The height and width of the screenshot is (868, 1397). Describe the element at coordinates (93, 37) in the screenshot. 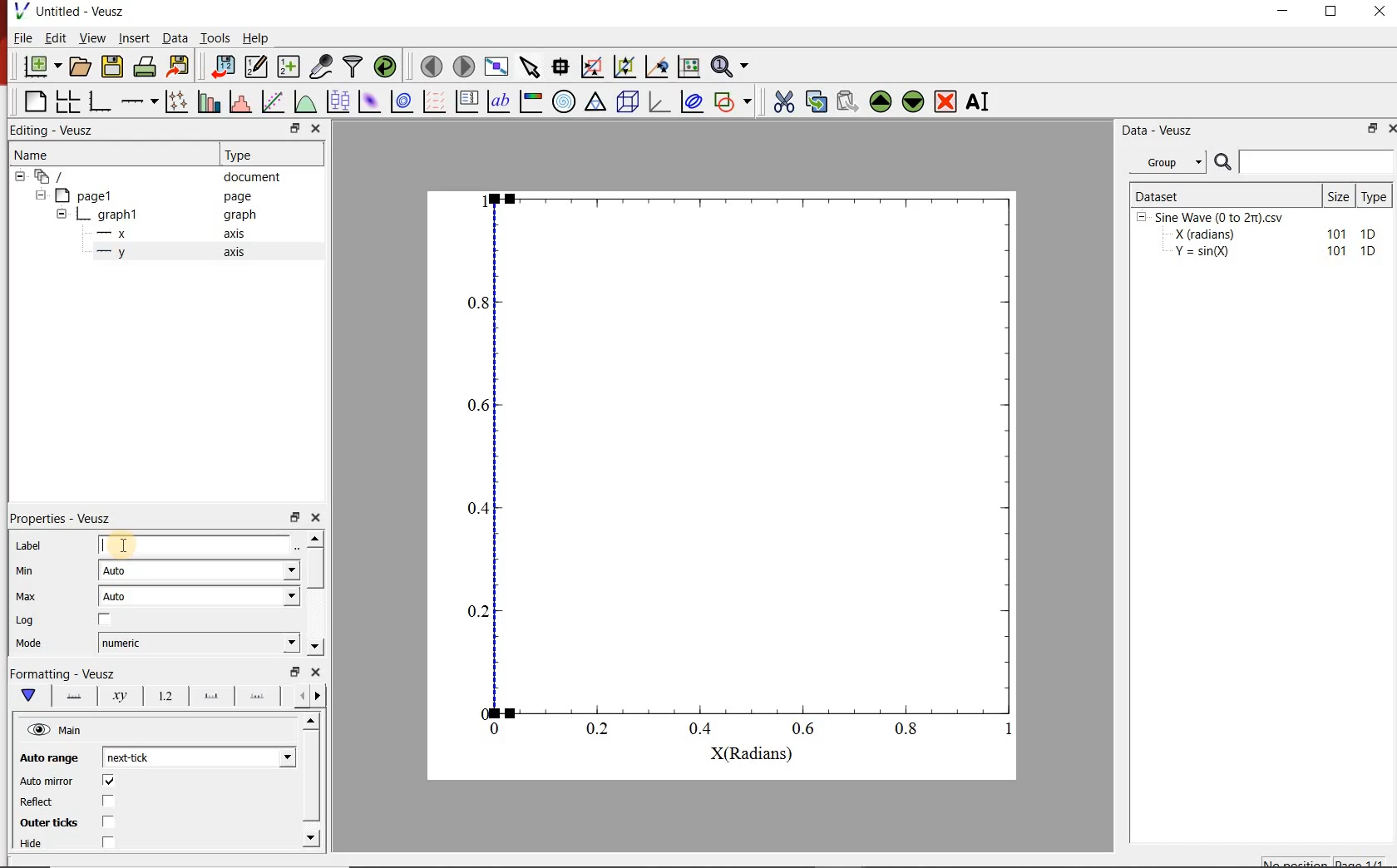

I see `View` at that location.